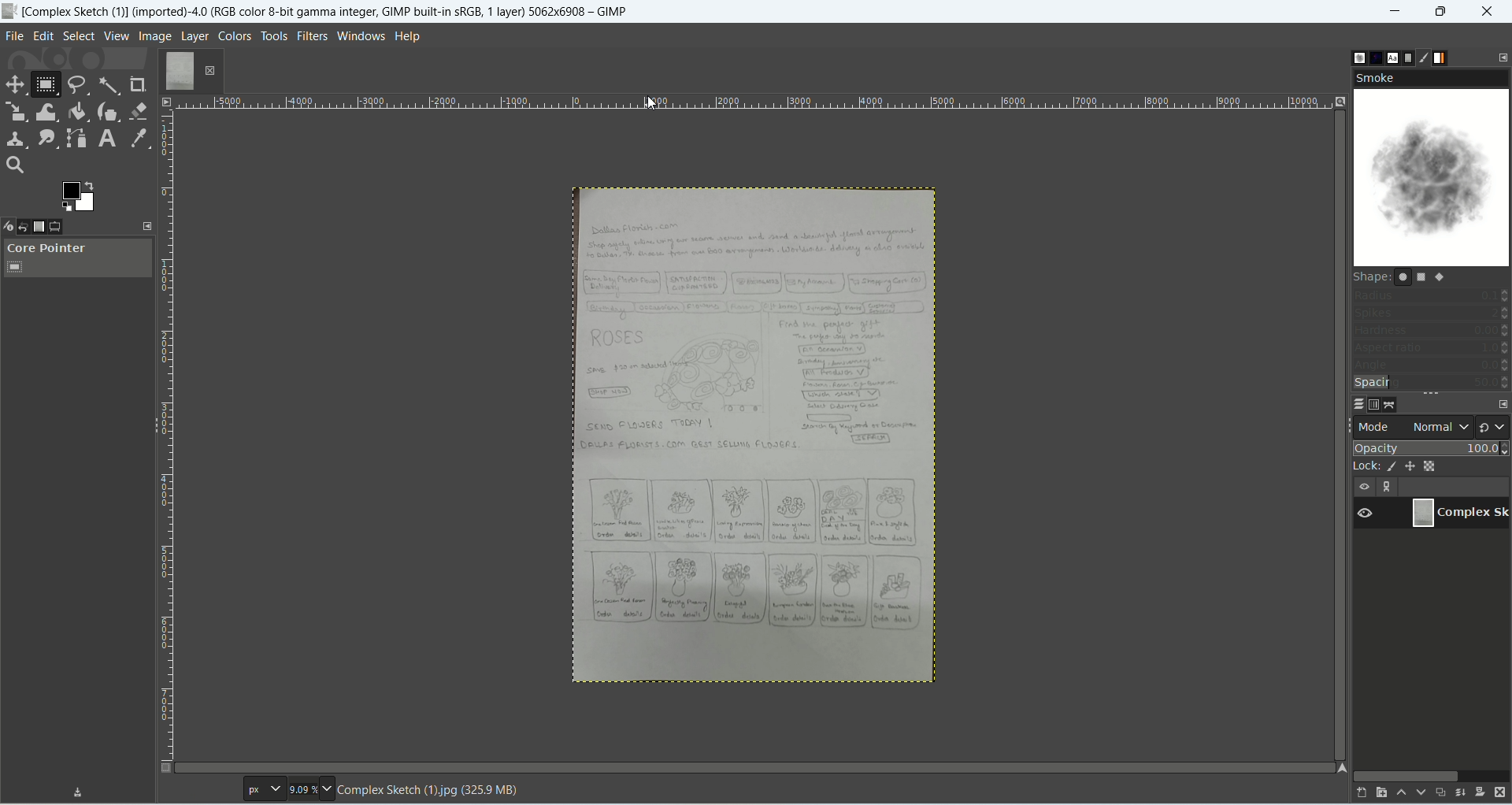 This screenshot has height=805, width=1512. I want to click on color picker tool, so click(139, 140).